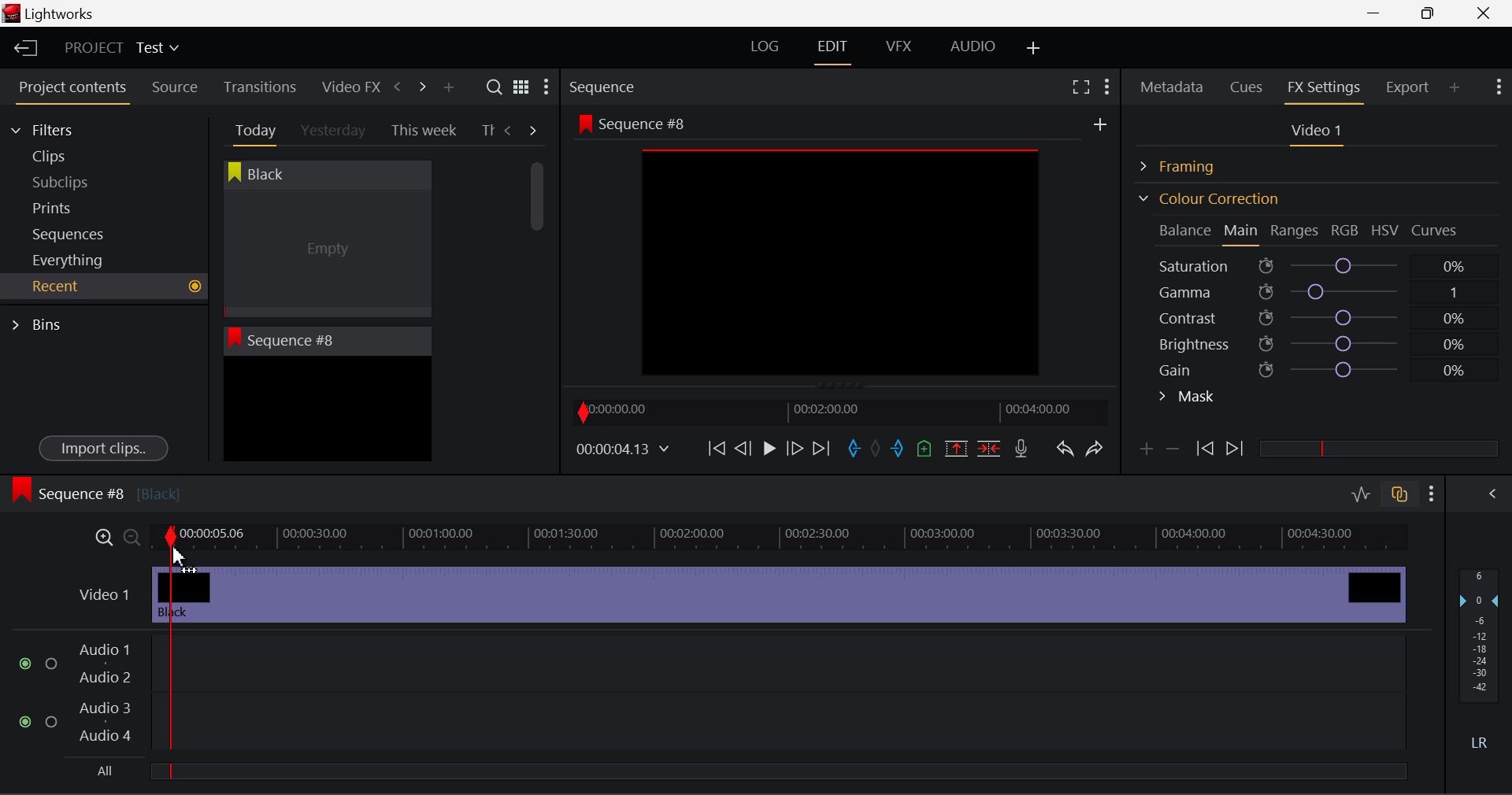  What do you see at coordinates (1410, 87) in the screenshot?
I see `Export Panel` at bounding box center [1410, 87].